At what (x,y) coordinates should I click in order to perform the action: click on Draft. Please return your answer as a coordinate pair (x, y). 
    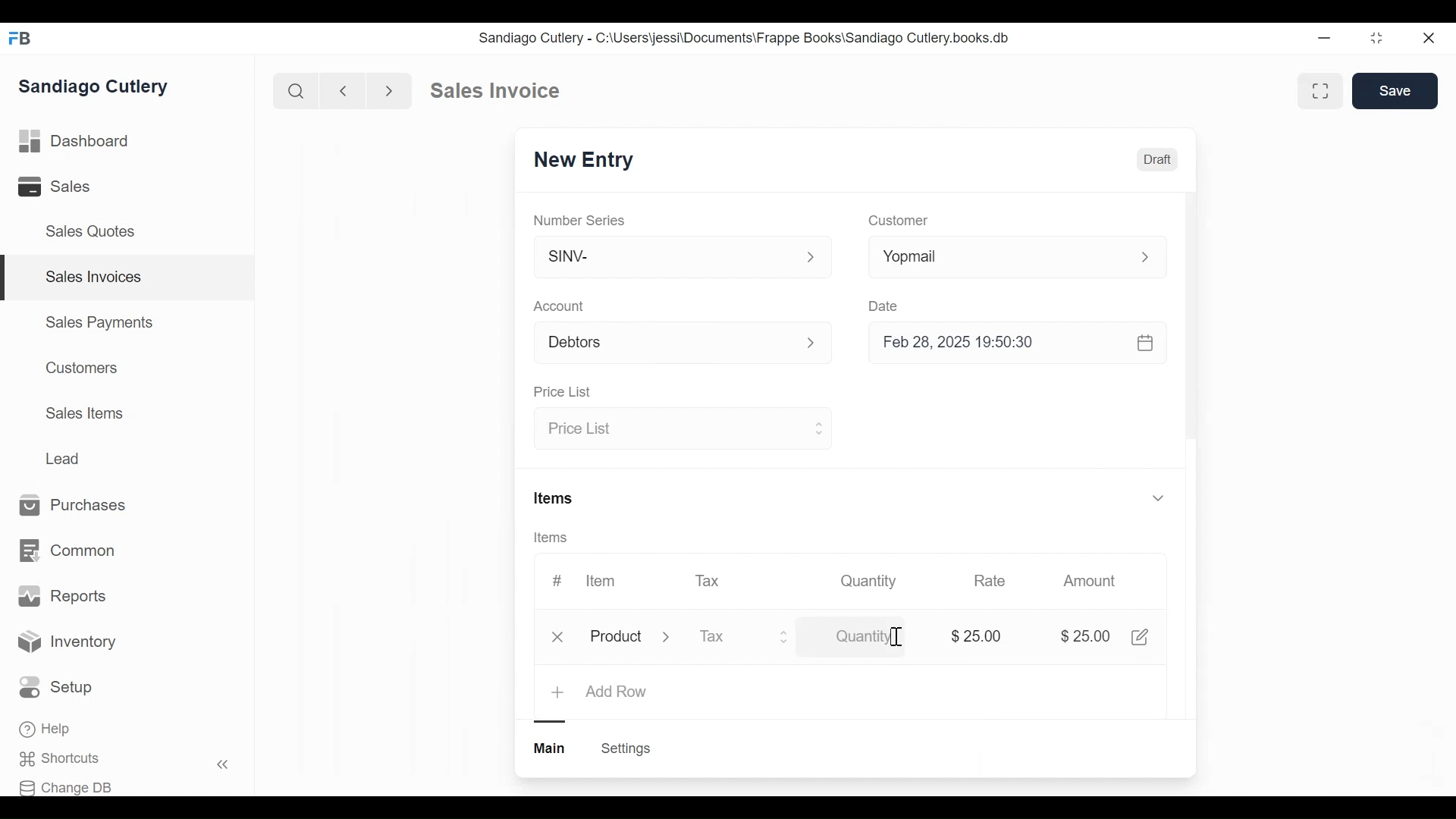
    Looking at the image, I should click on (1156, 159).